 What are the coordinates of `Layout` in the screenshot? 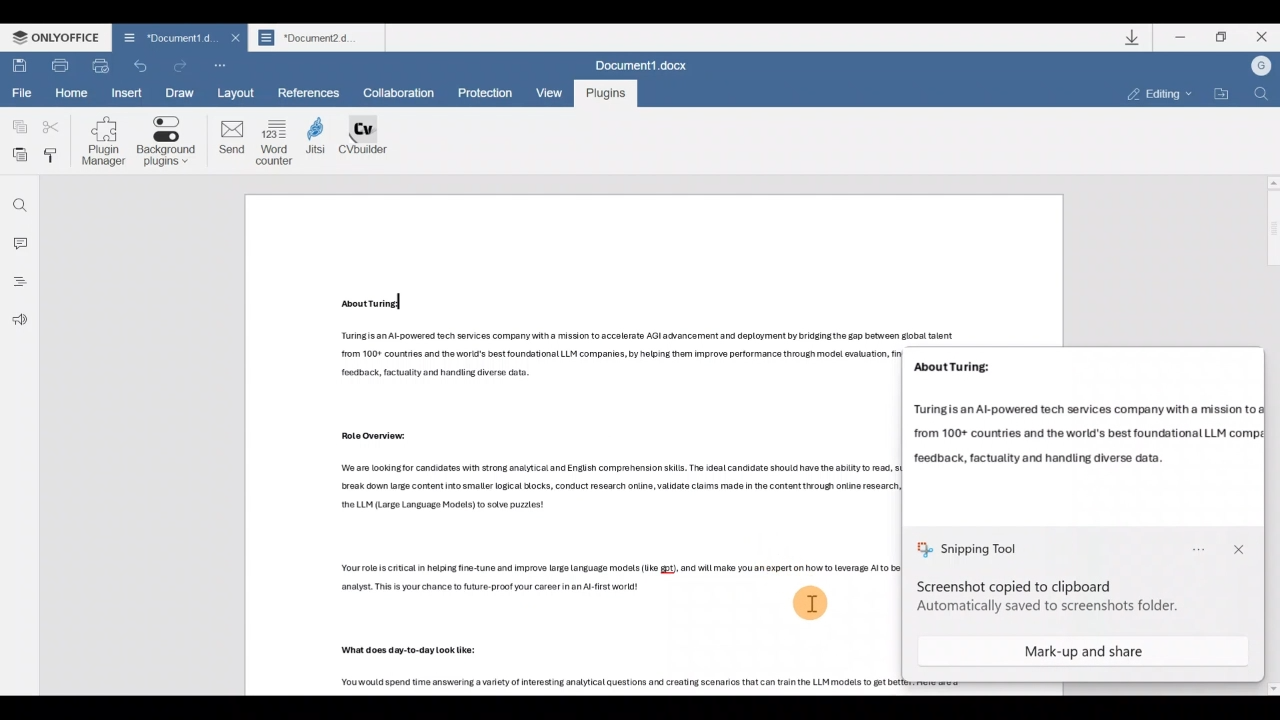 It's located at (241, 93).